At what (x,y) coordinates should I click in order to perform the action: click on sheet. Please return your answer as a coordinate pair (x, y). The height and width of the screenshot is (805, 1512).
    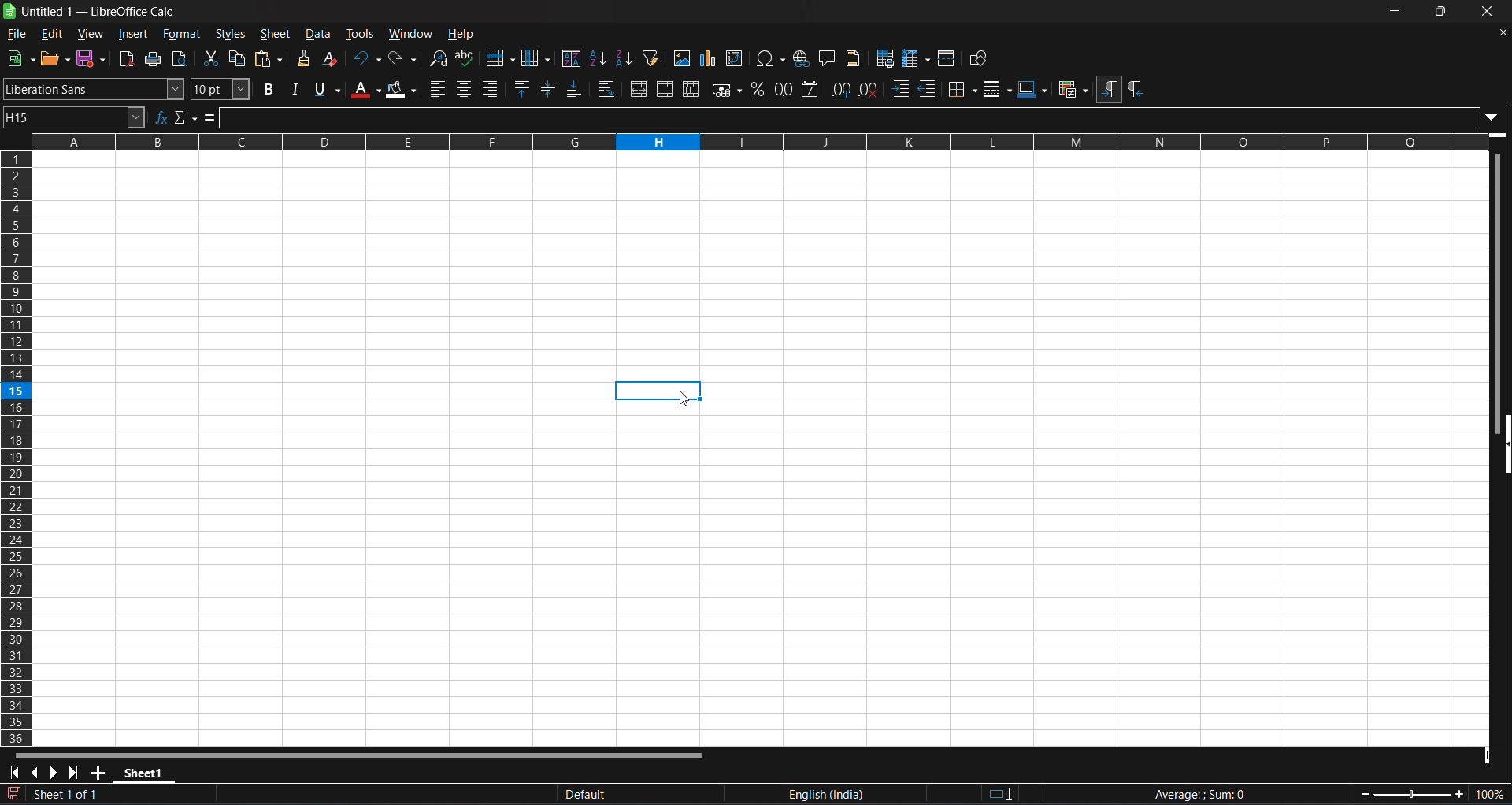
    Looking at the image, I should click on (278, 34).